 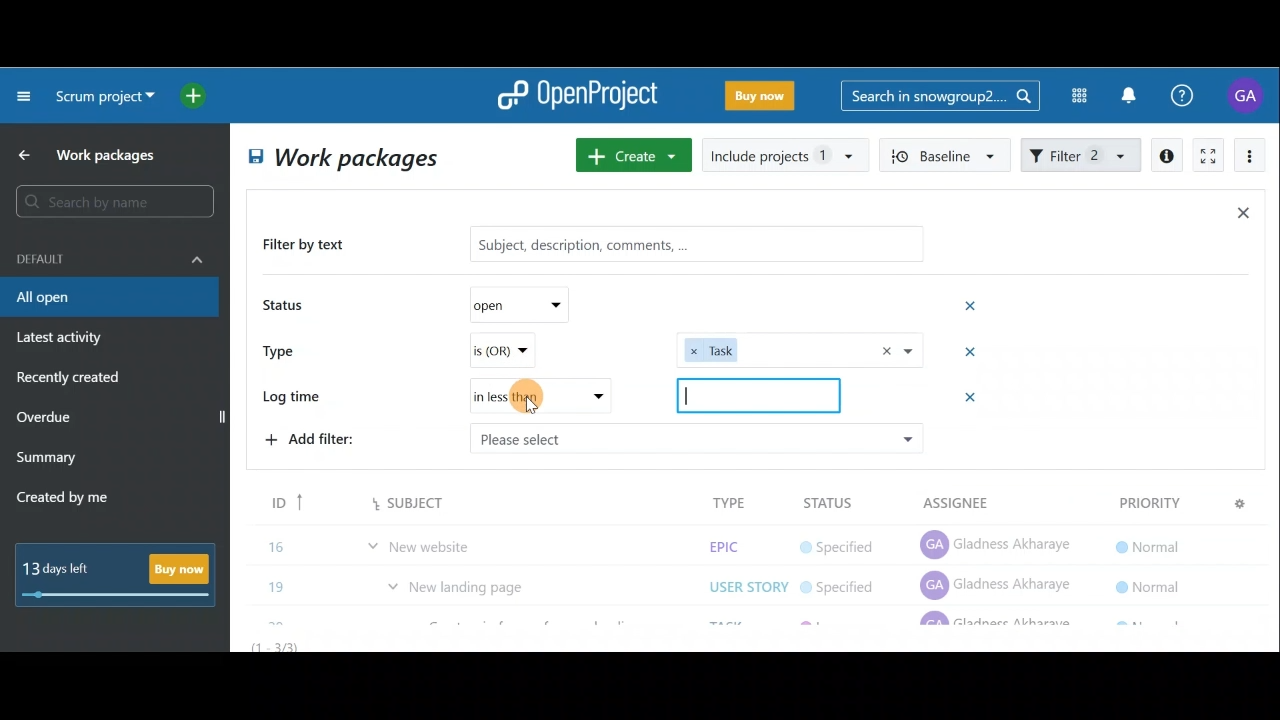 I want to click on Cursor, so click(x=532, y=402).